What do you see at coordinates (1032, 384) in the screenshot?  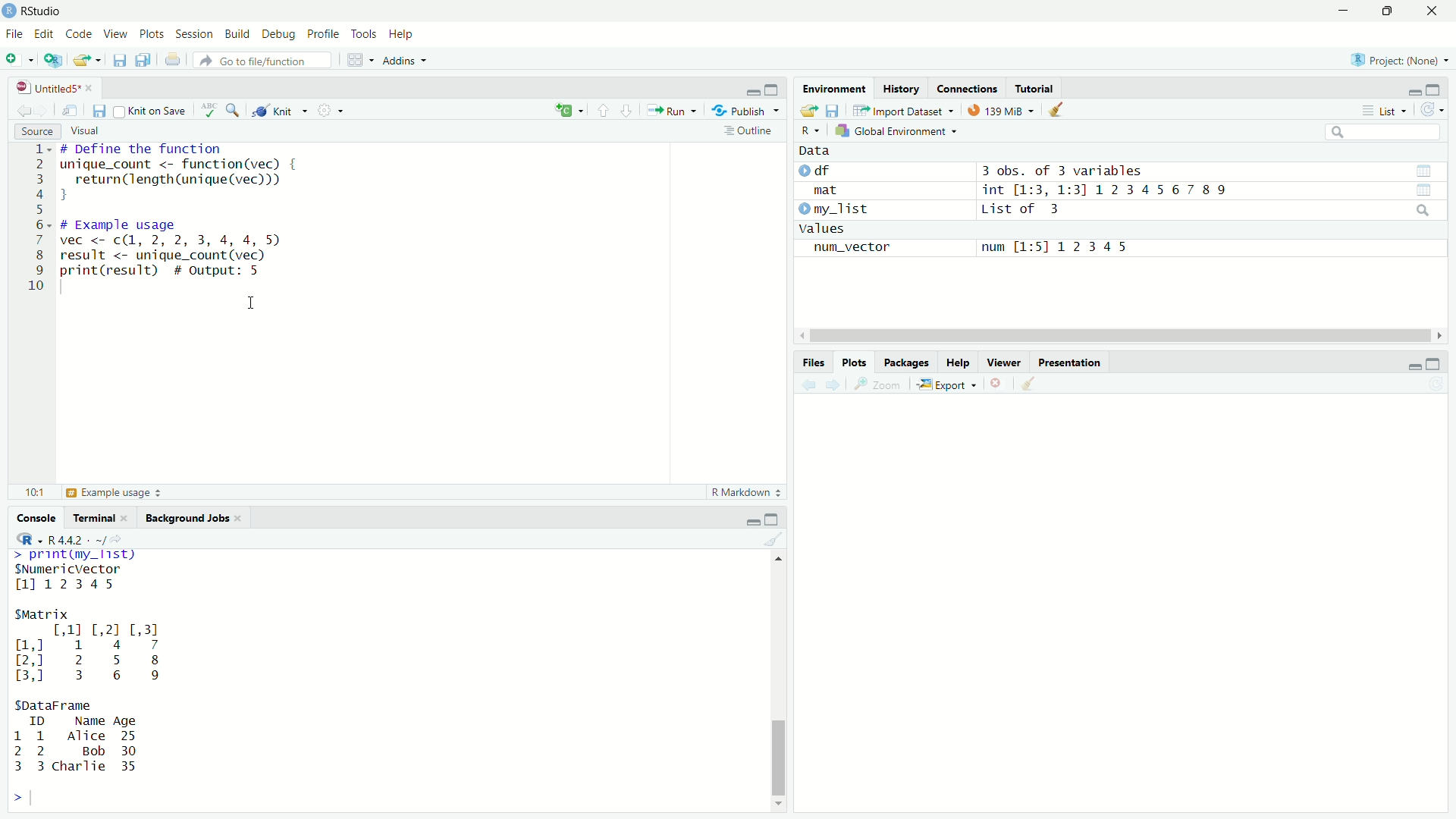 I see `clear all plots` at bounding box center [1032, 384].